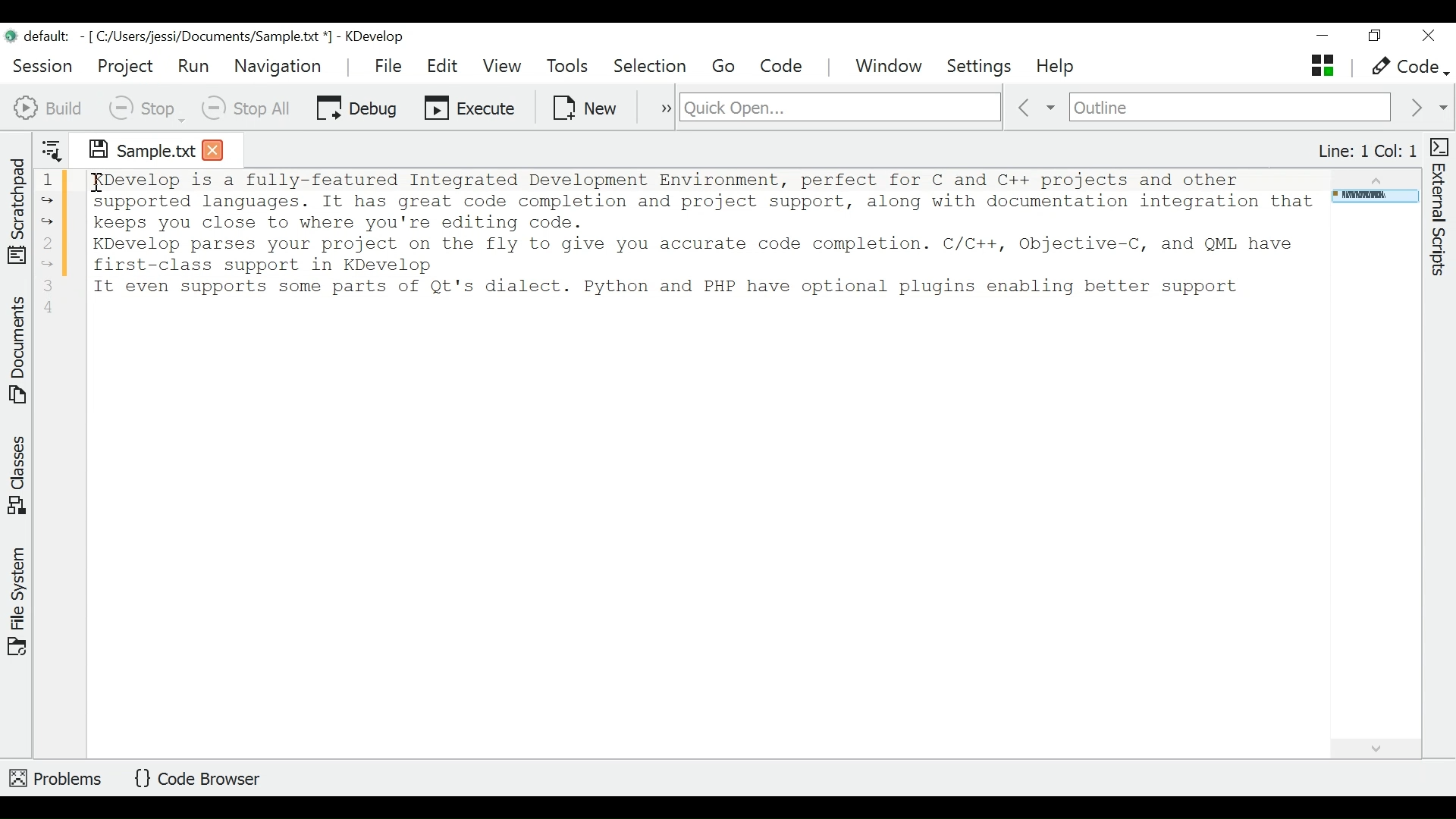 This screenshot has width=1456, height=819. What do you see at coordinates (202, 780) in the screenshot?
I see `Code Browser` at bounding box center [202, 780].